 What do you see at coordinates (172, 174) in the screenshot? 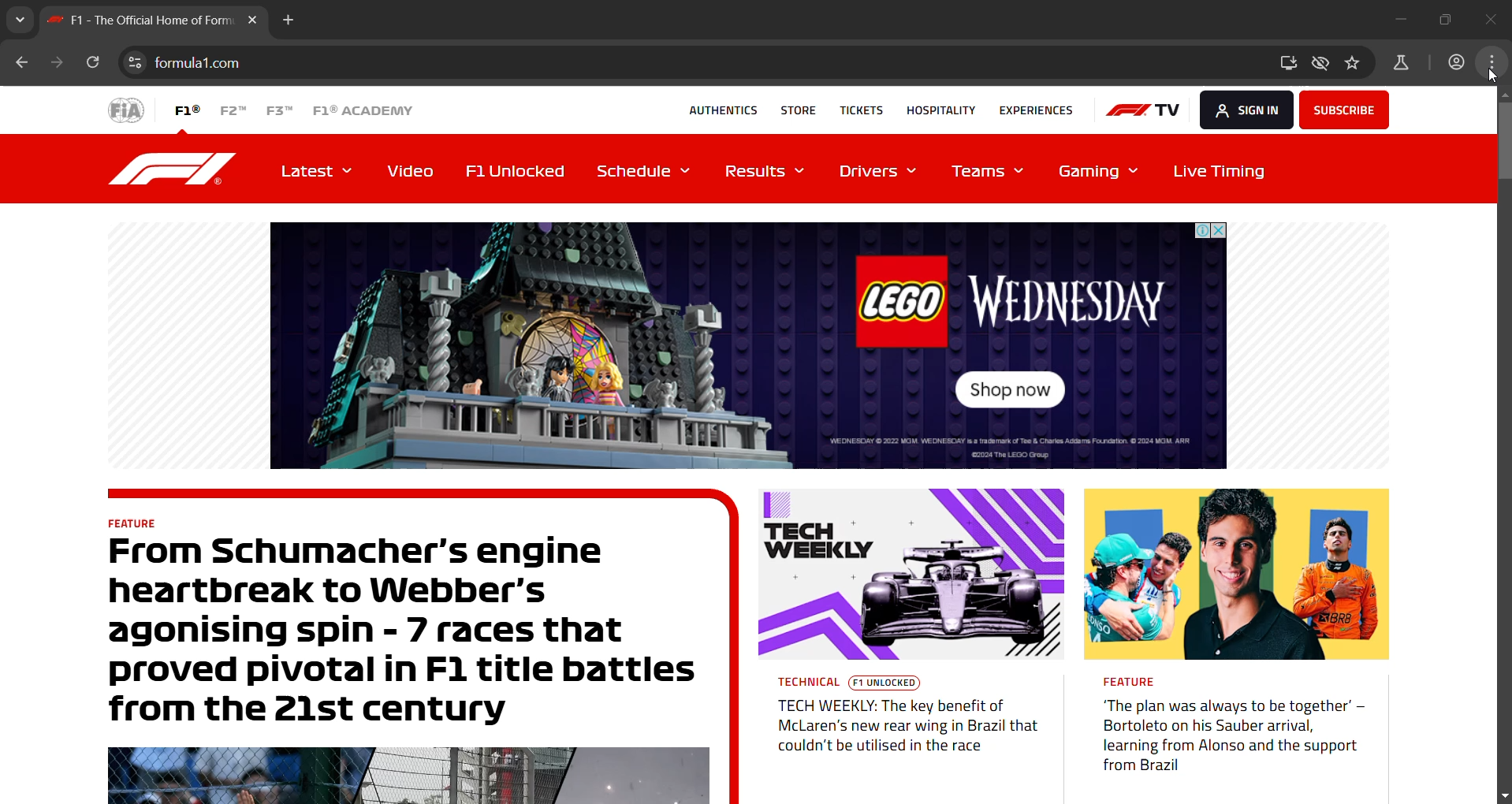
I see `F1 logo` at bounding box center [172, 174].